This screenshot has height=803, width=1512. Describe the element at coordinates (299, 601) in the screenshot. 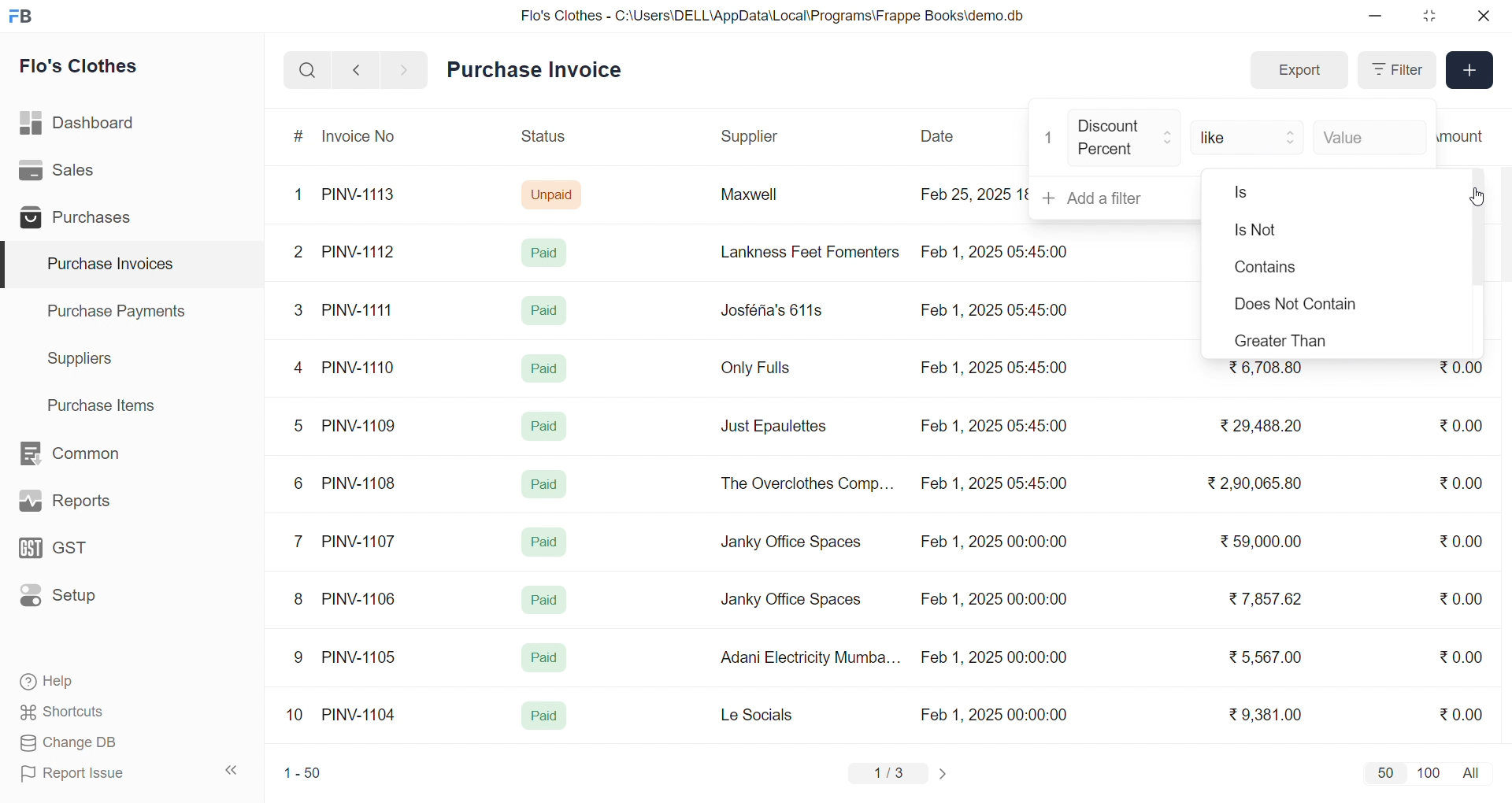

I see `8` at that location.